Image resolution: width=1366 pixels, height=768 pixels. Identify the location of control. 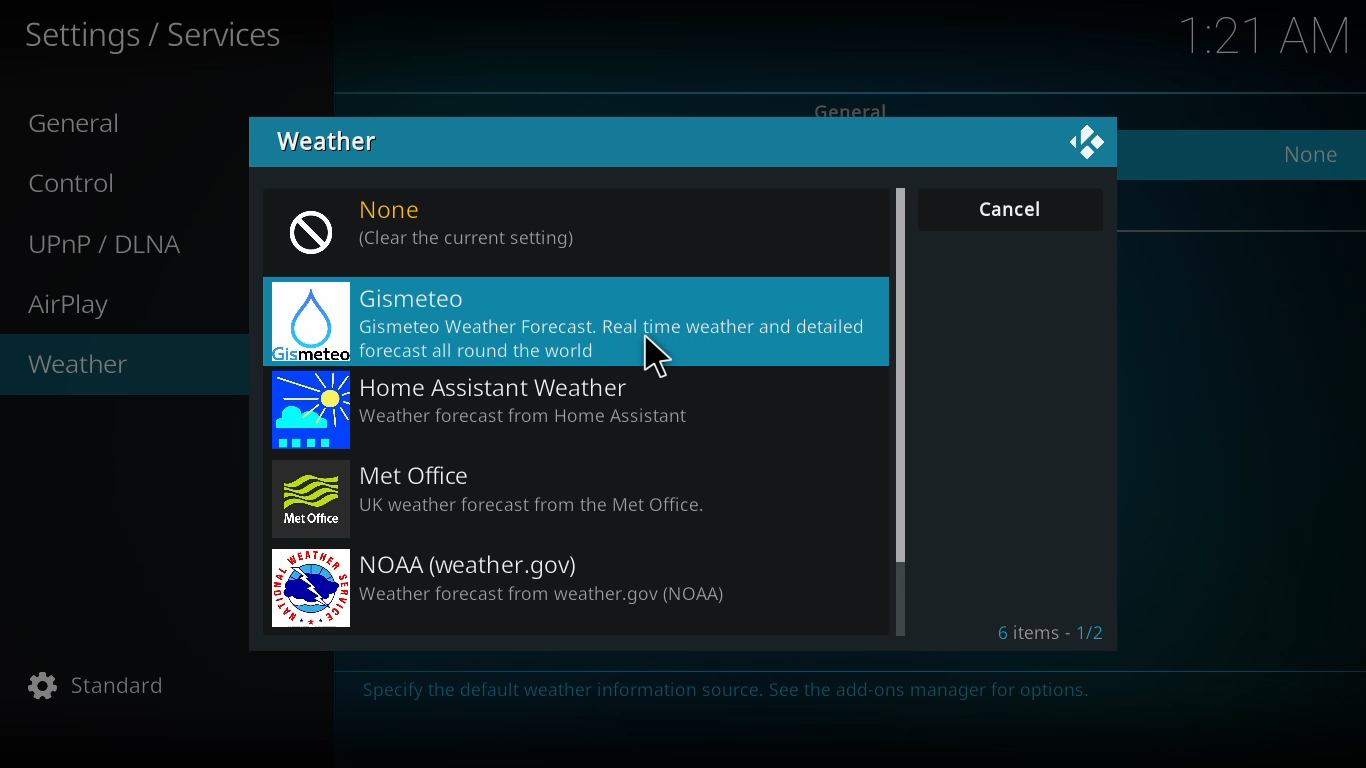
(83, 182).